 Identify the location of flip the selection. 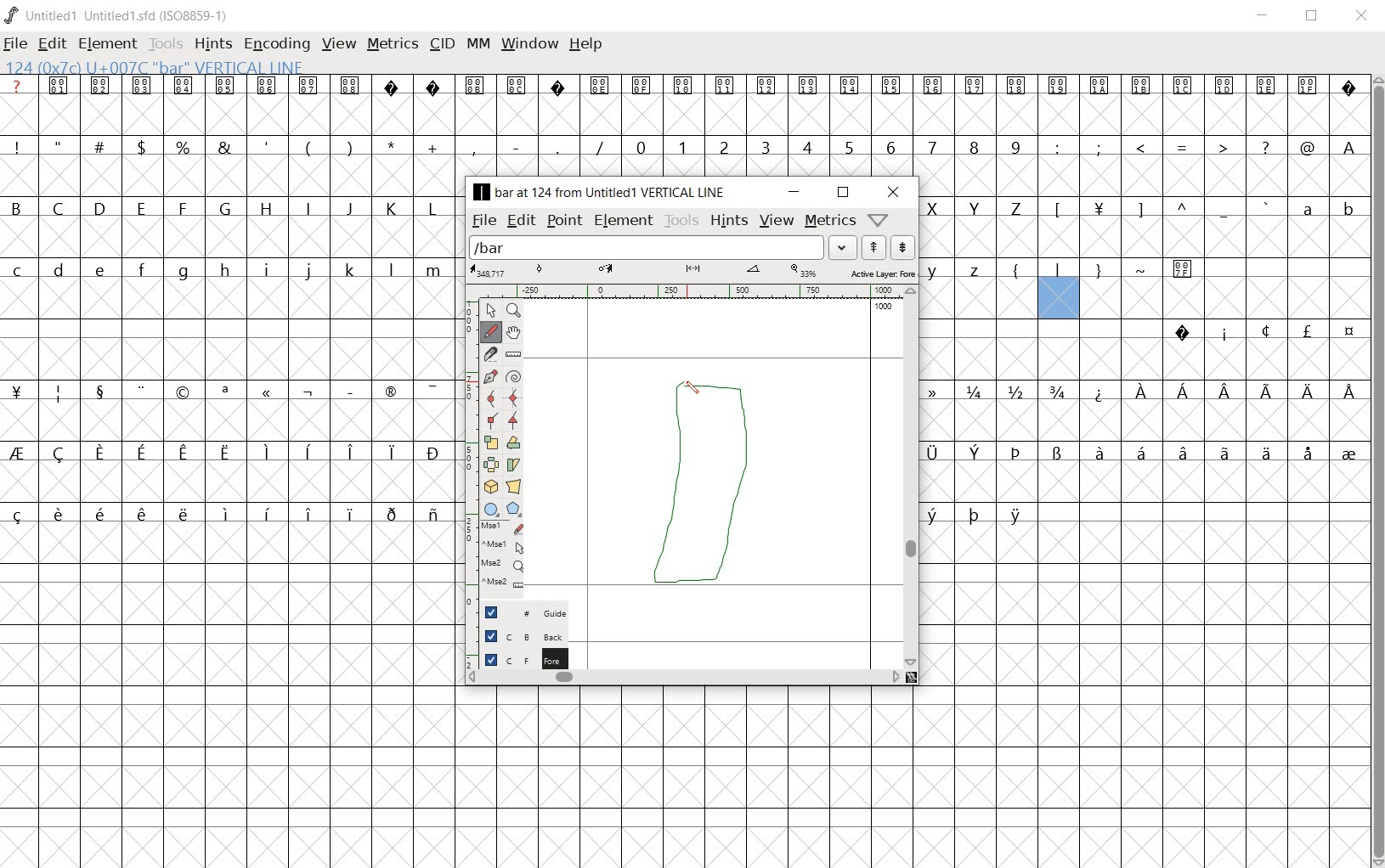
(490, 463).